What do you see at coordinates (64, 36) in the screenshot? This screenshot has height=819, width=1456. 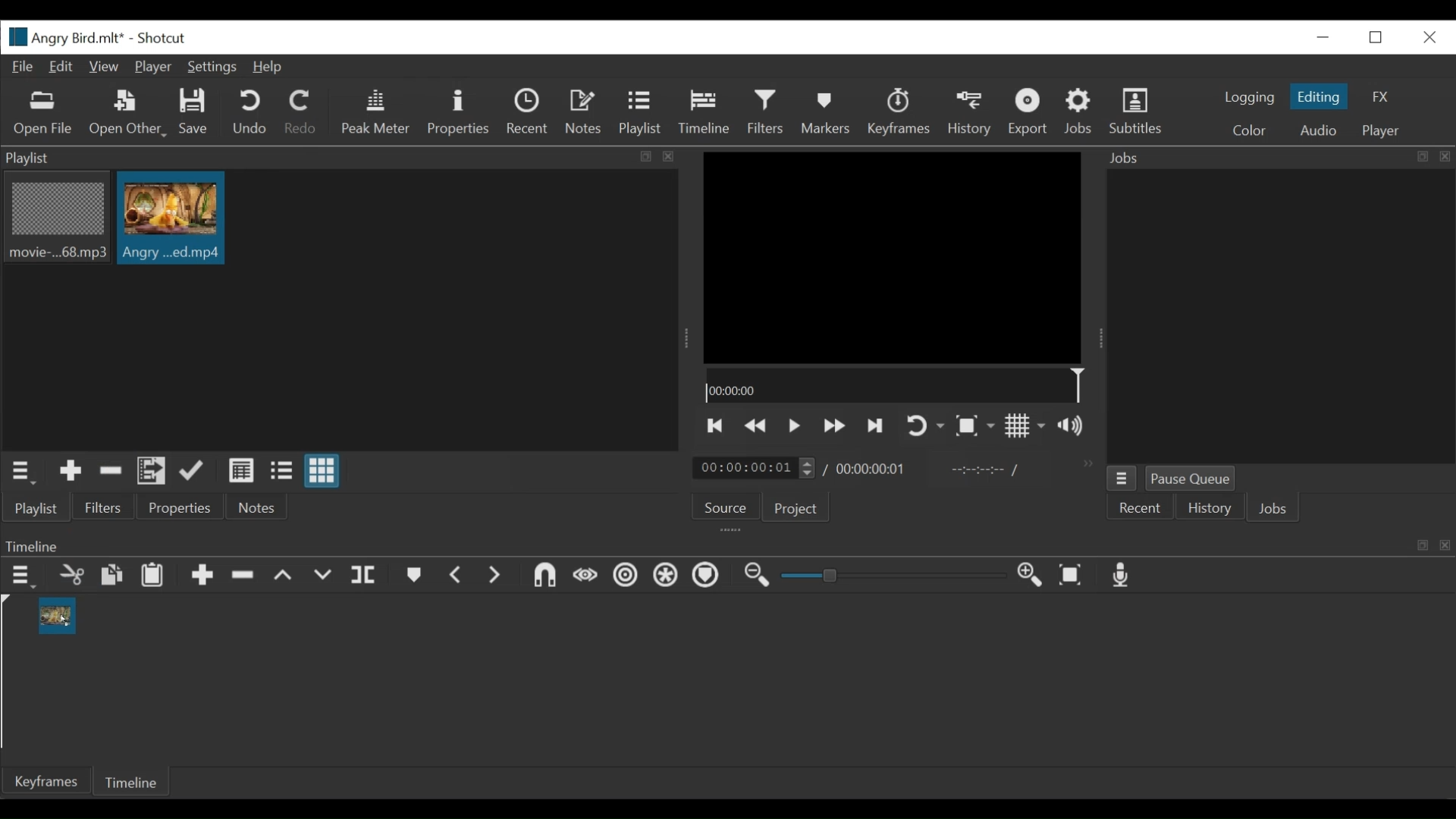 I see `File name` at bounding box center [64, 36].